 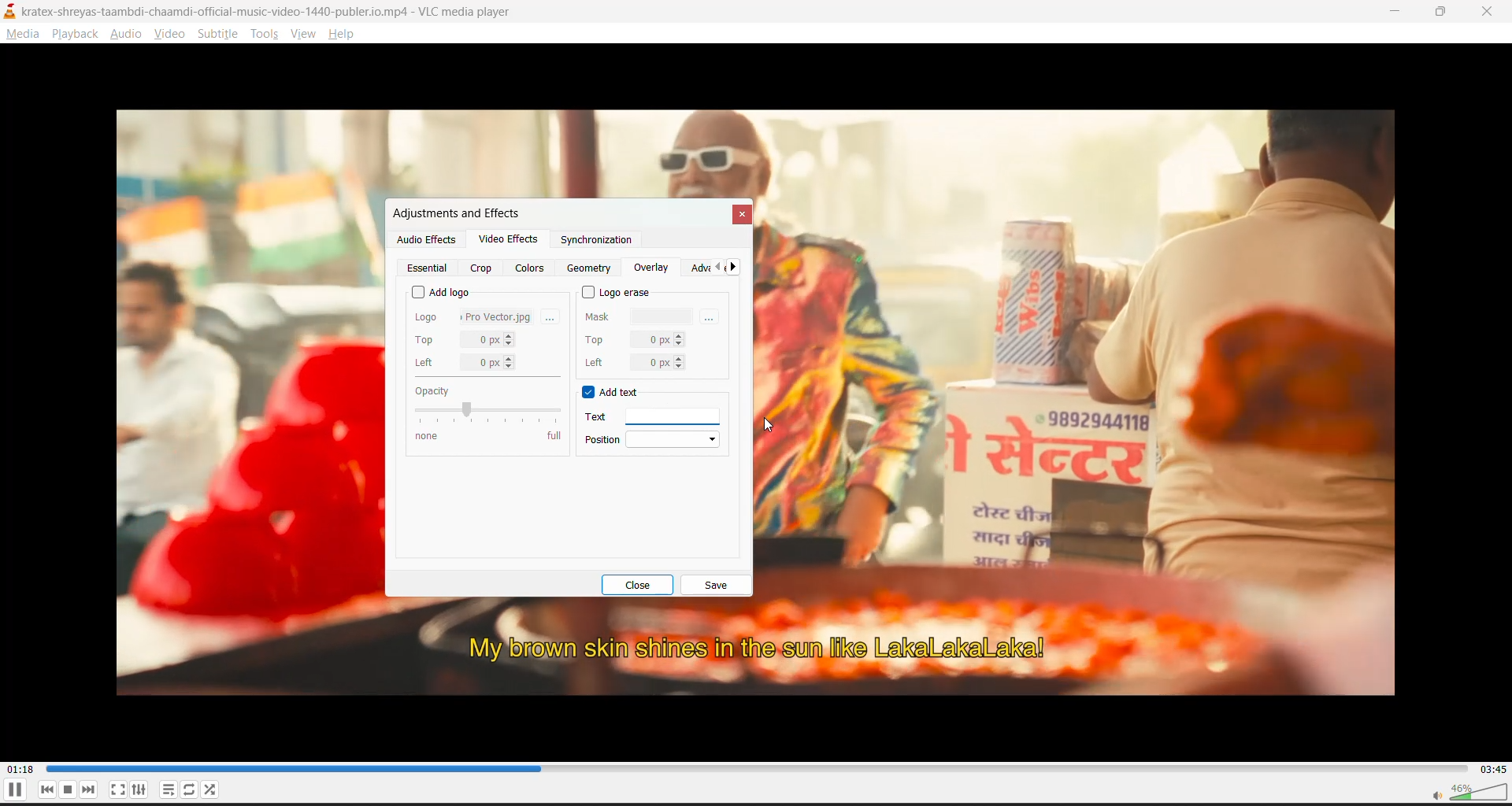 I want to click on help, so click(x=345, y=34).